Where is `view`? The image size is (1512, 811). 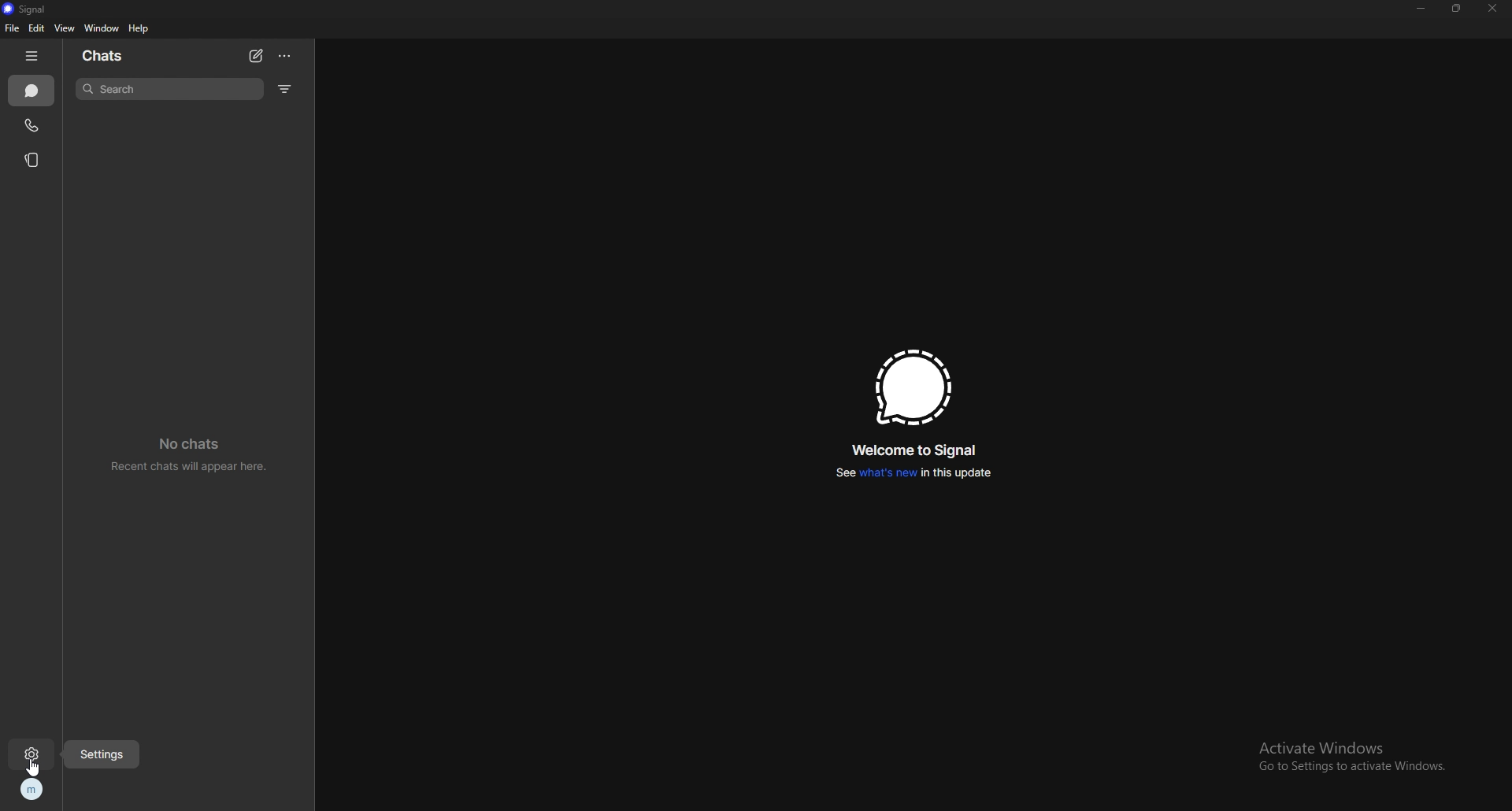
view is located at coordinates (64, 28).